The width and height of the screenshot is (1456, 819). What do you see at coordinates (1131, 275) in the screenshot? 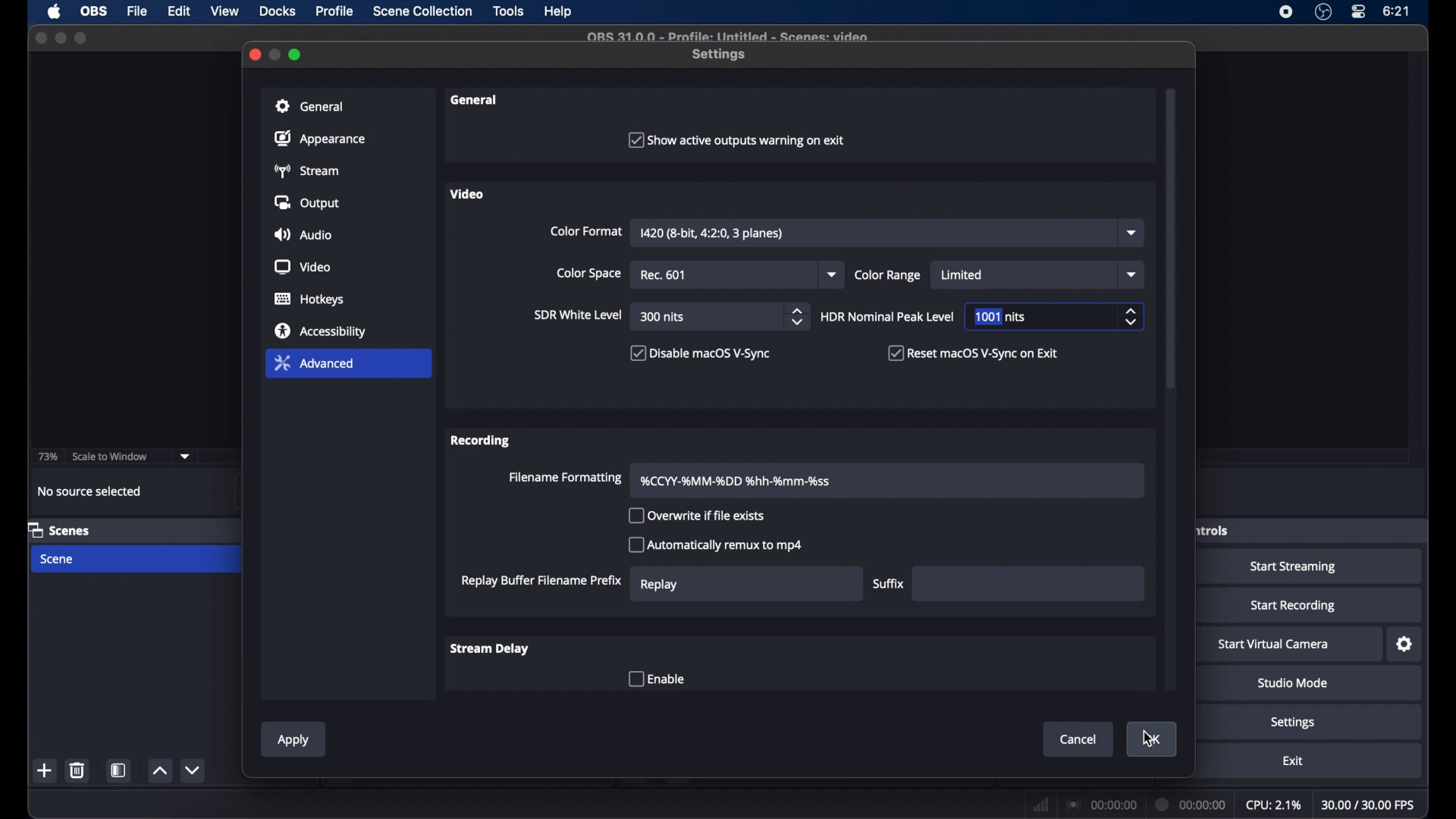
I see `dropdown` at bounding box center [1131, 275].